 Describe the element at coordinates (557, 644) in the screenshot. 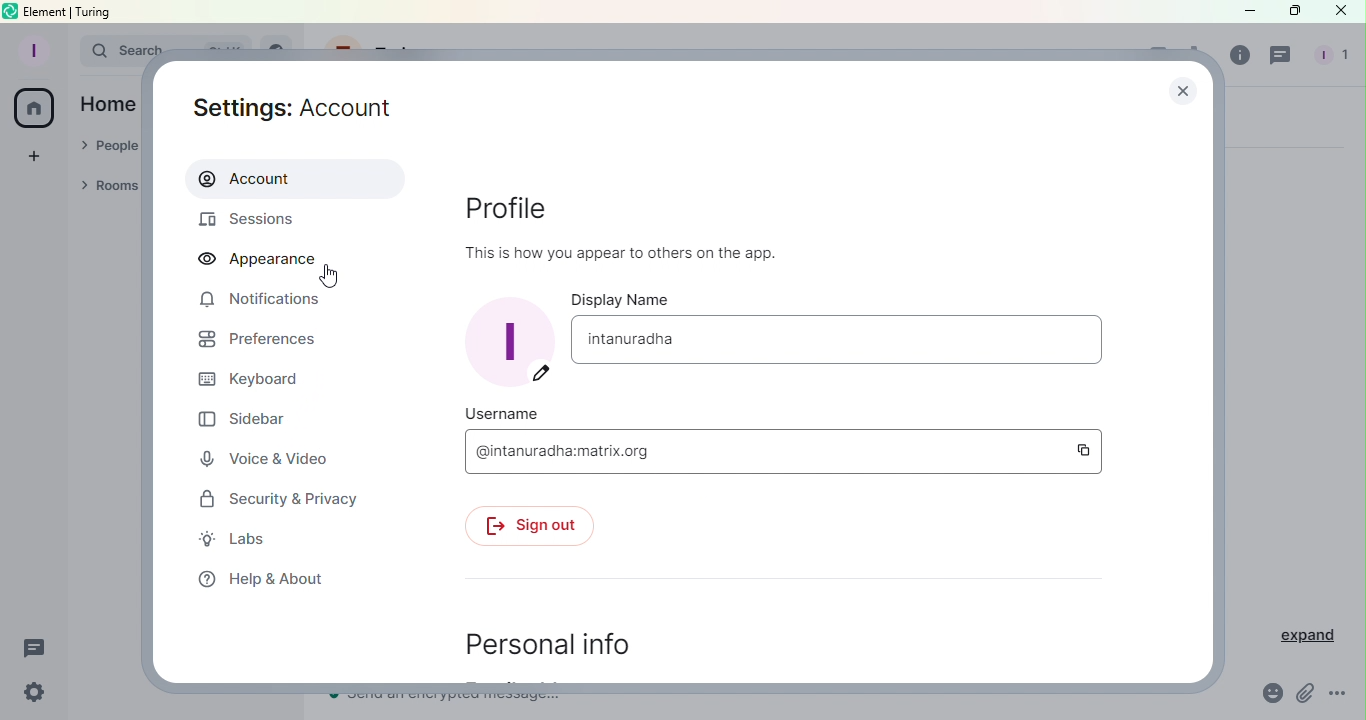

I see `Personal info` at that location.